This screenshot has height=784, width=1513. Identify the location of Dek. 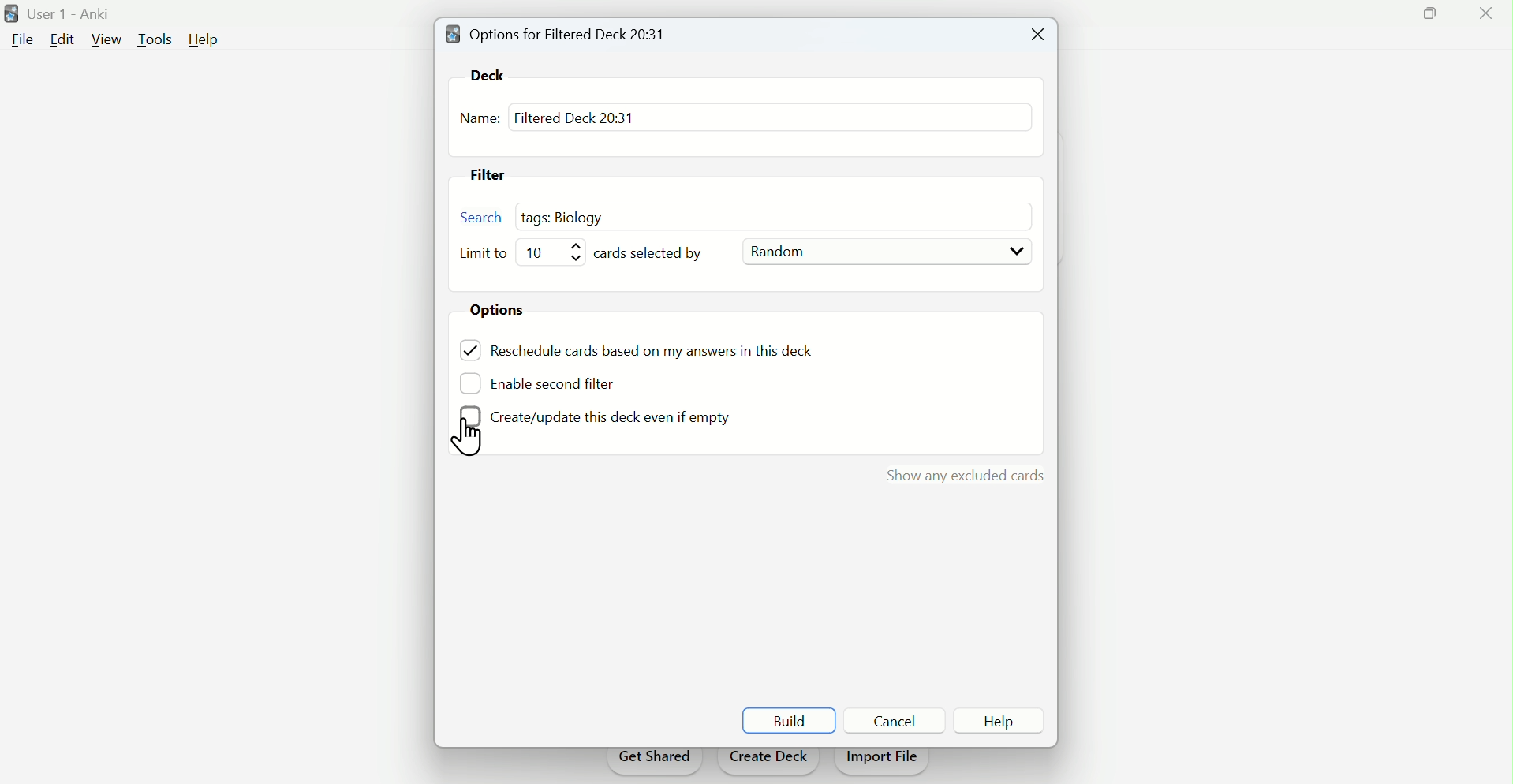
(494, 74).